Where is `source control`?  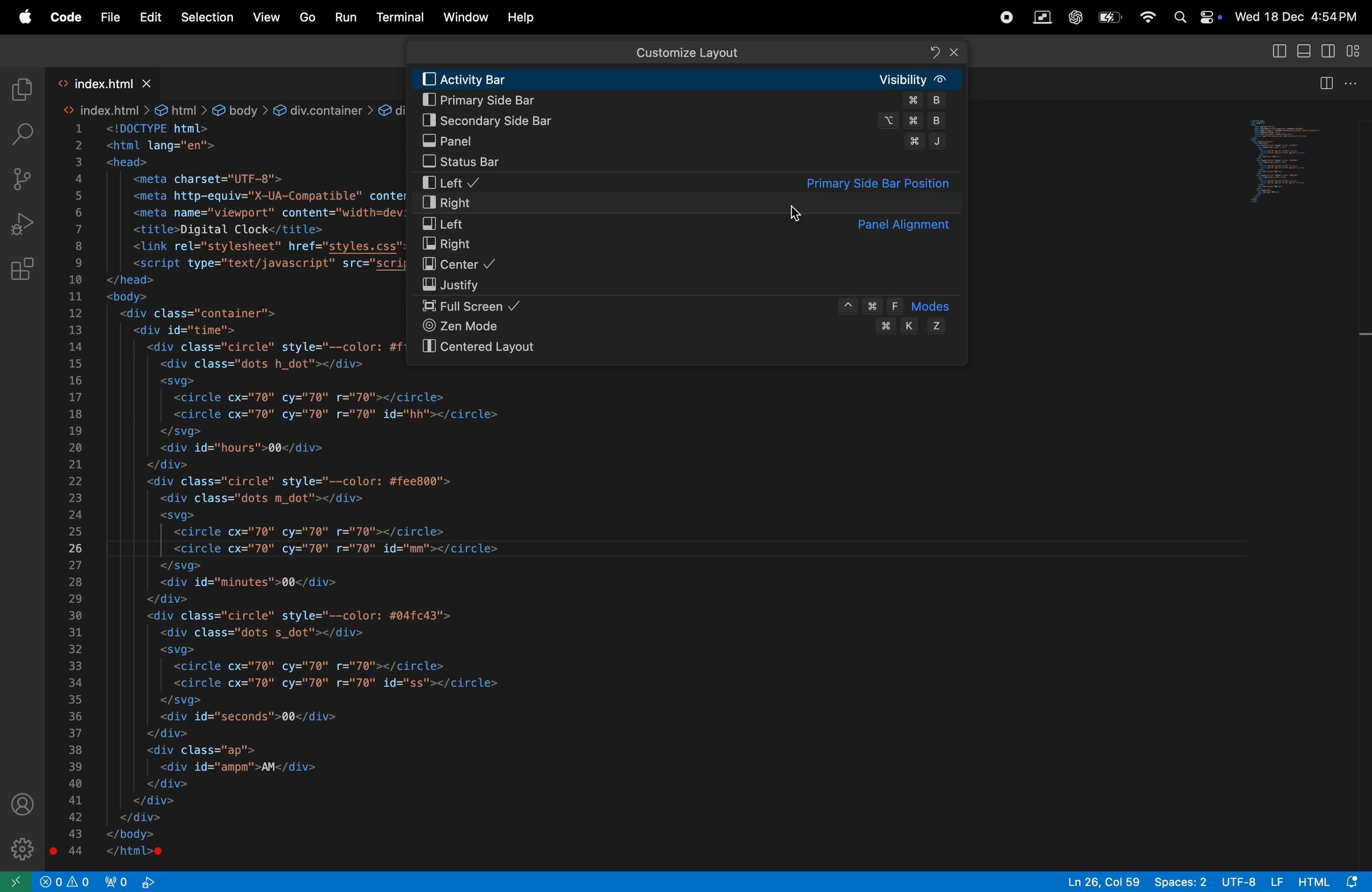
source control is located at coordinates (24, 177).